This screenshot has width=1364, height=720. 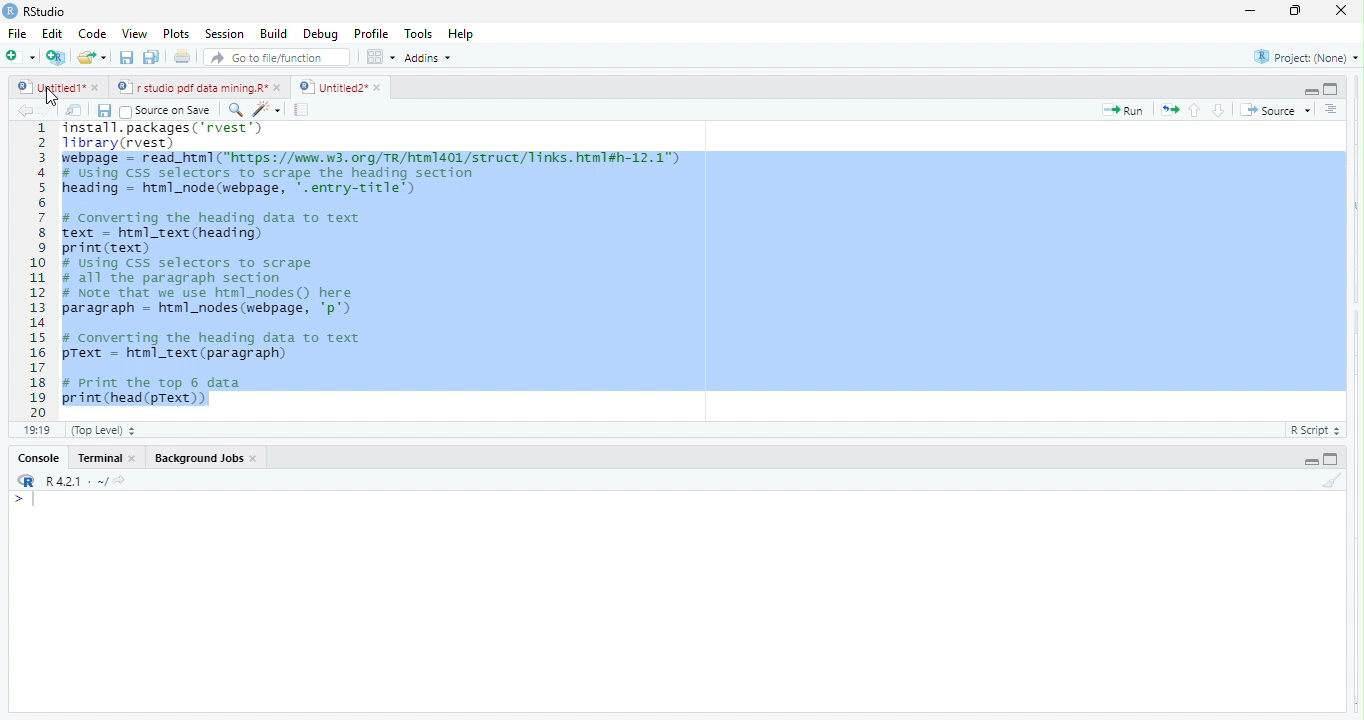 I want to click on Plots, so click(x=175, y=34).